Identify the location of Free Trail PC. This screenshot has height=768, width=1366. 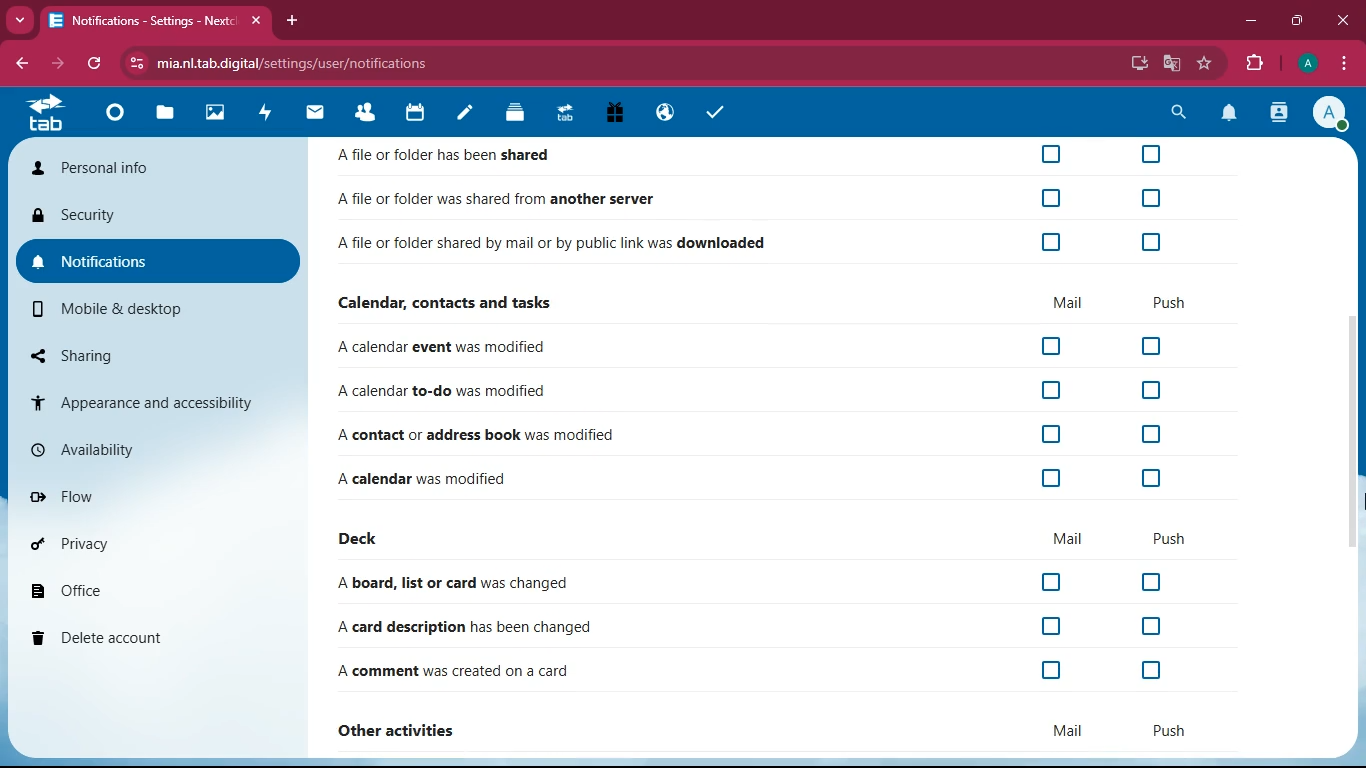
(614, 114).